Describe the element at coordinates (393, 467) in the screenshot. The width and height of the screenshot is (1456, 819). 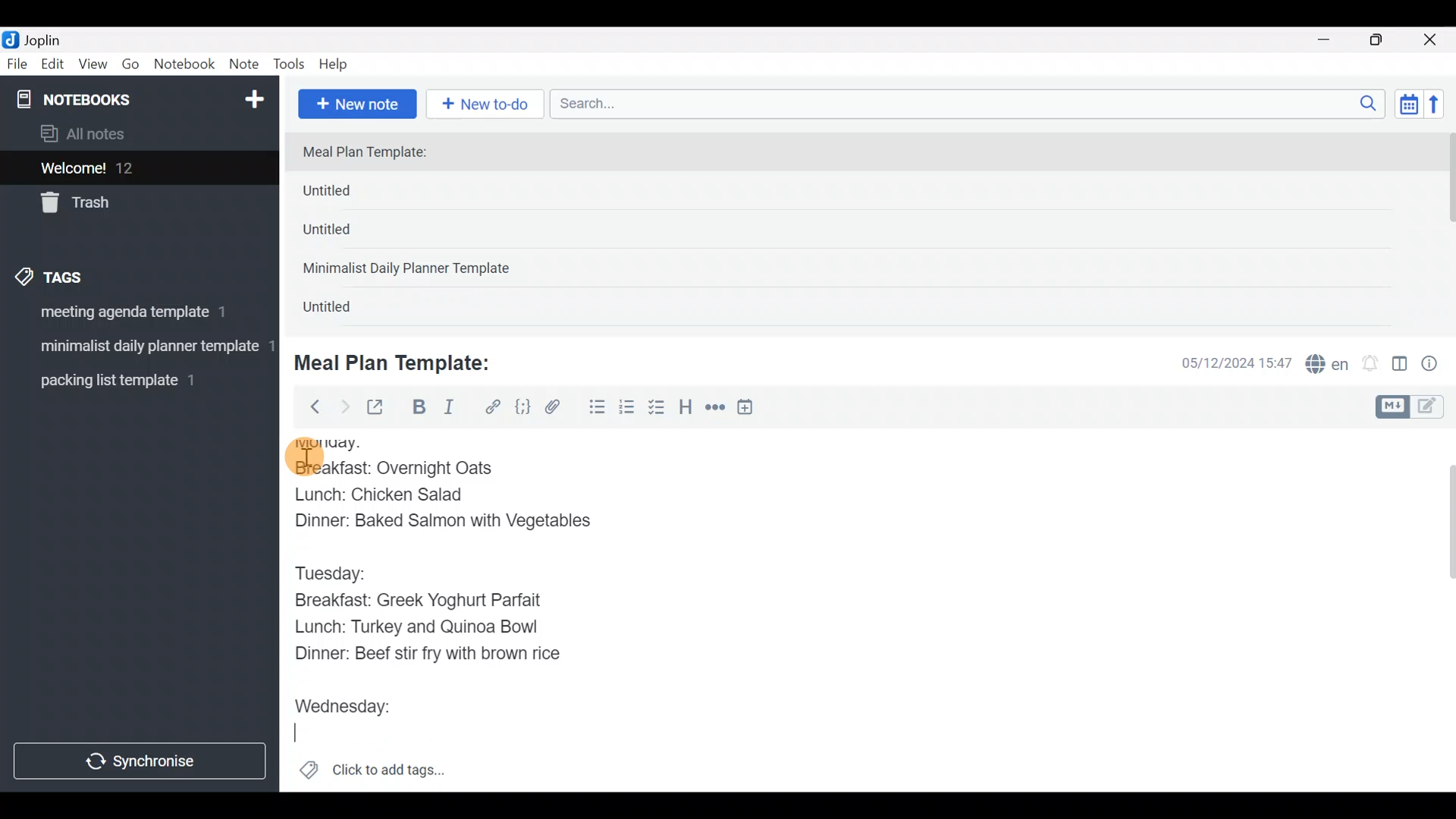
I see `Breakfast: Overnight Oats` at that location.